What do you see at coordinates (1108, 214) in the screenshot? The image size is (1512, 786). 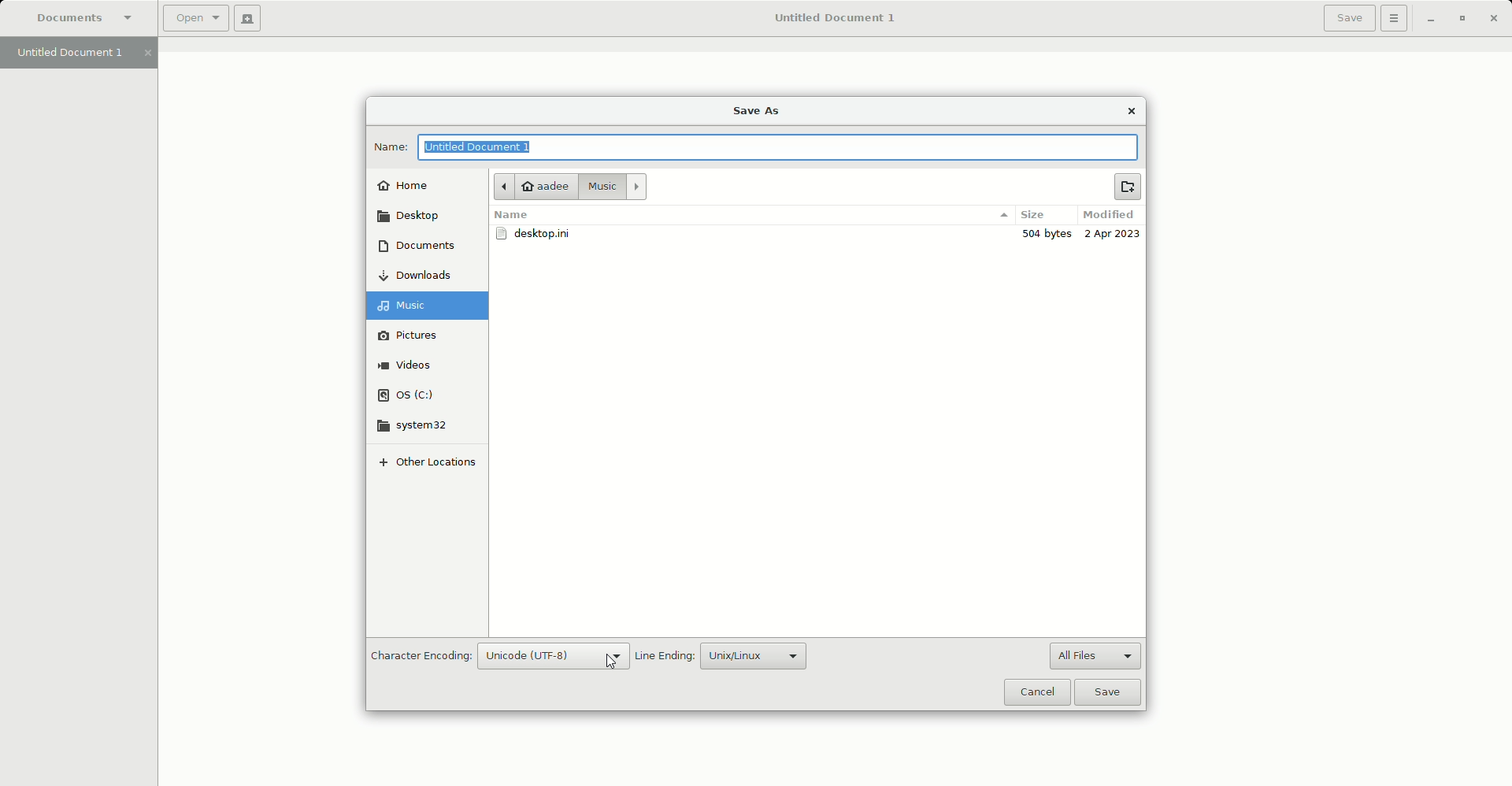 I see `Modified` at bounding box center [1108, 214].